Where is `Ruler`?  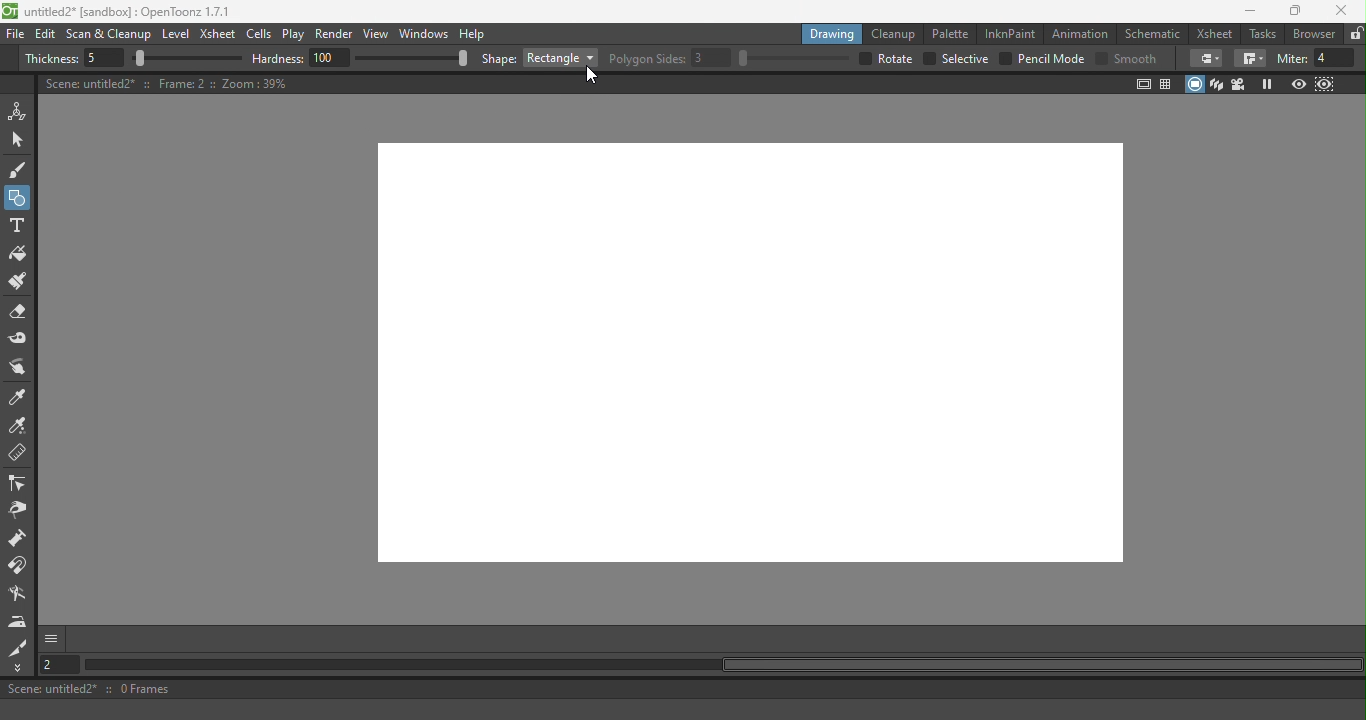
Ruler is located at coordinates (24, 456).